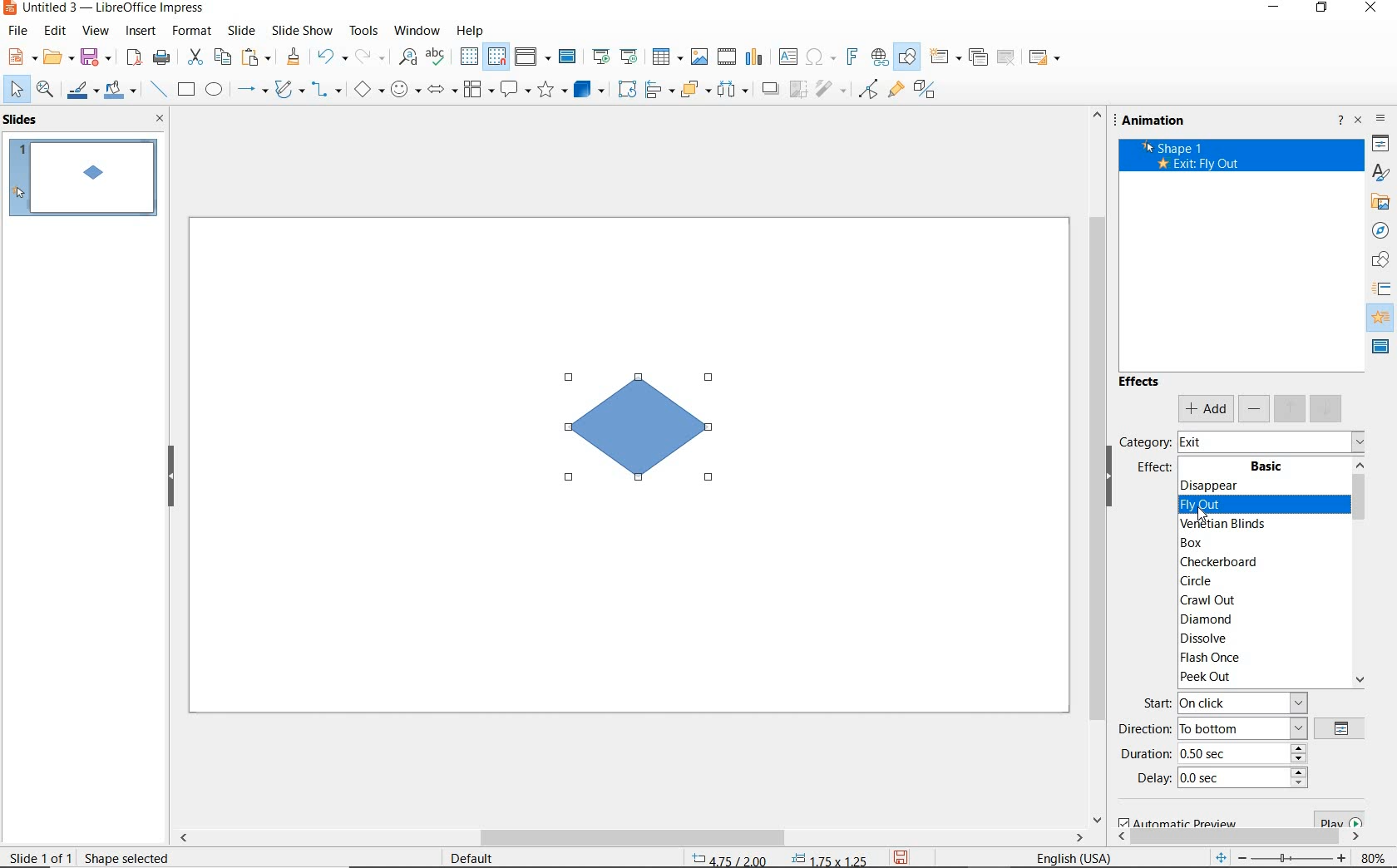 The width and height of the screenshot is (1397, 868). Describe the element at coordinates (1341, 729) in the screenshot. I see `options` at that location.